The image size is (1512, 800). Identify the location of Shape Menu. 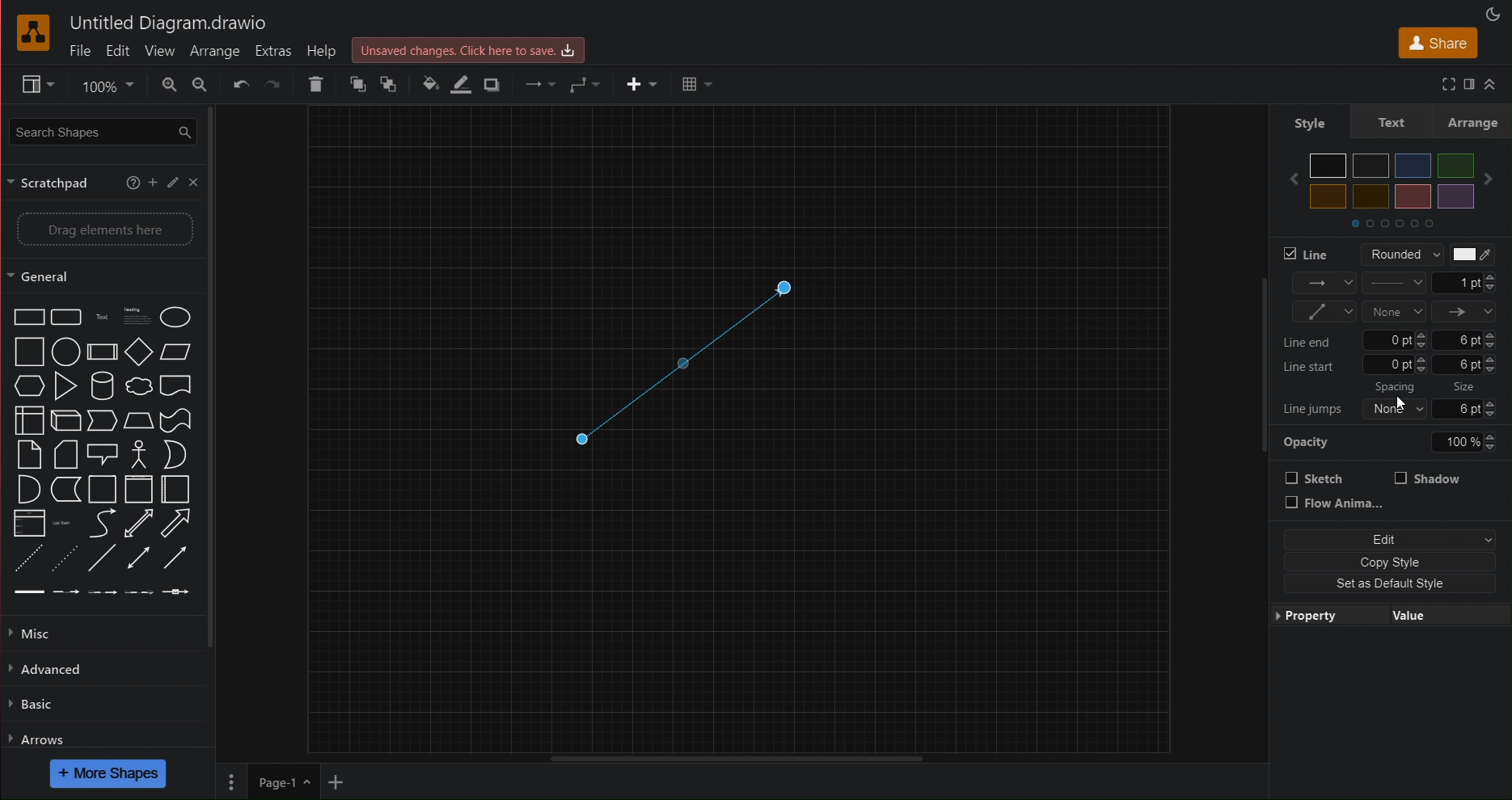
(101, 453).